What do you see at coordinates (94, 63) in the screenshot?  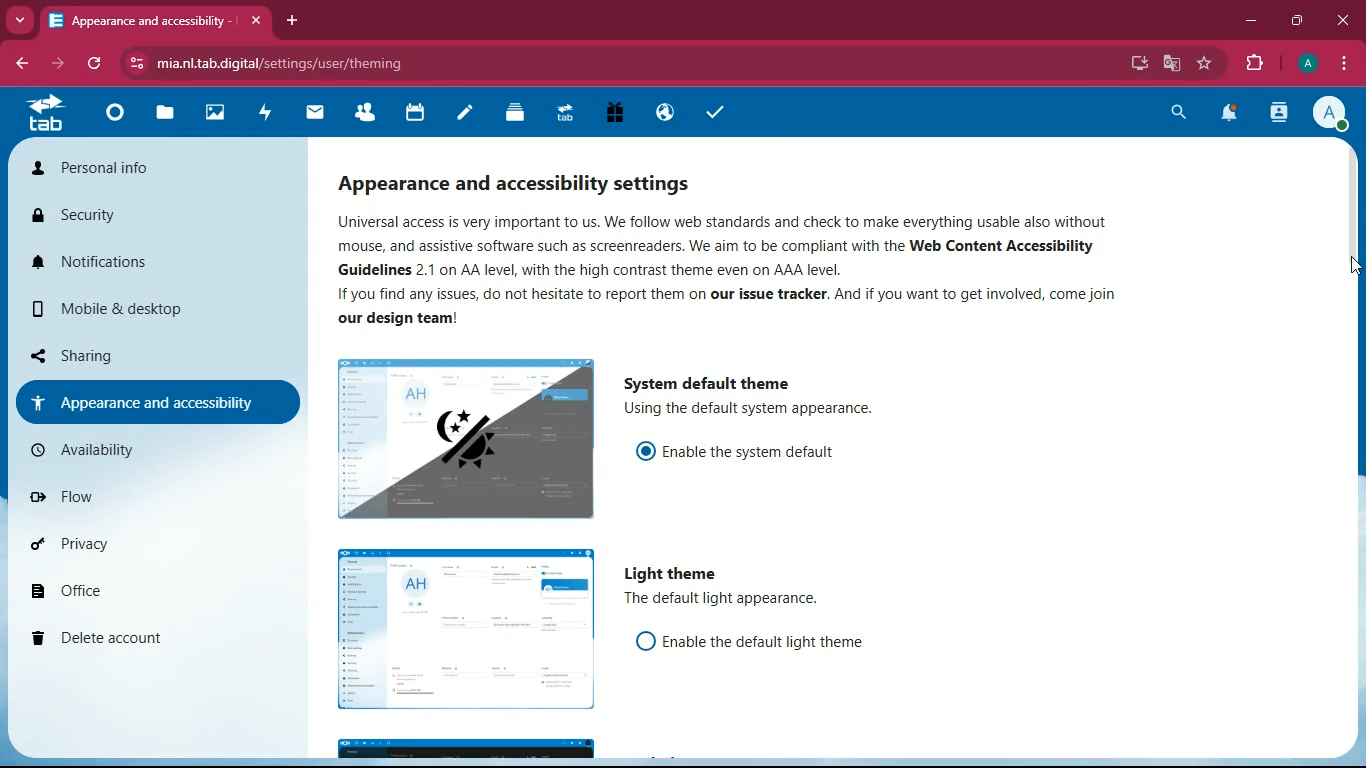 I see `refresh` at bounding box center [94, 63].